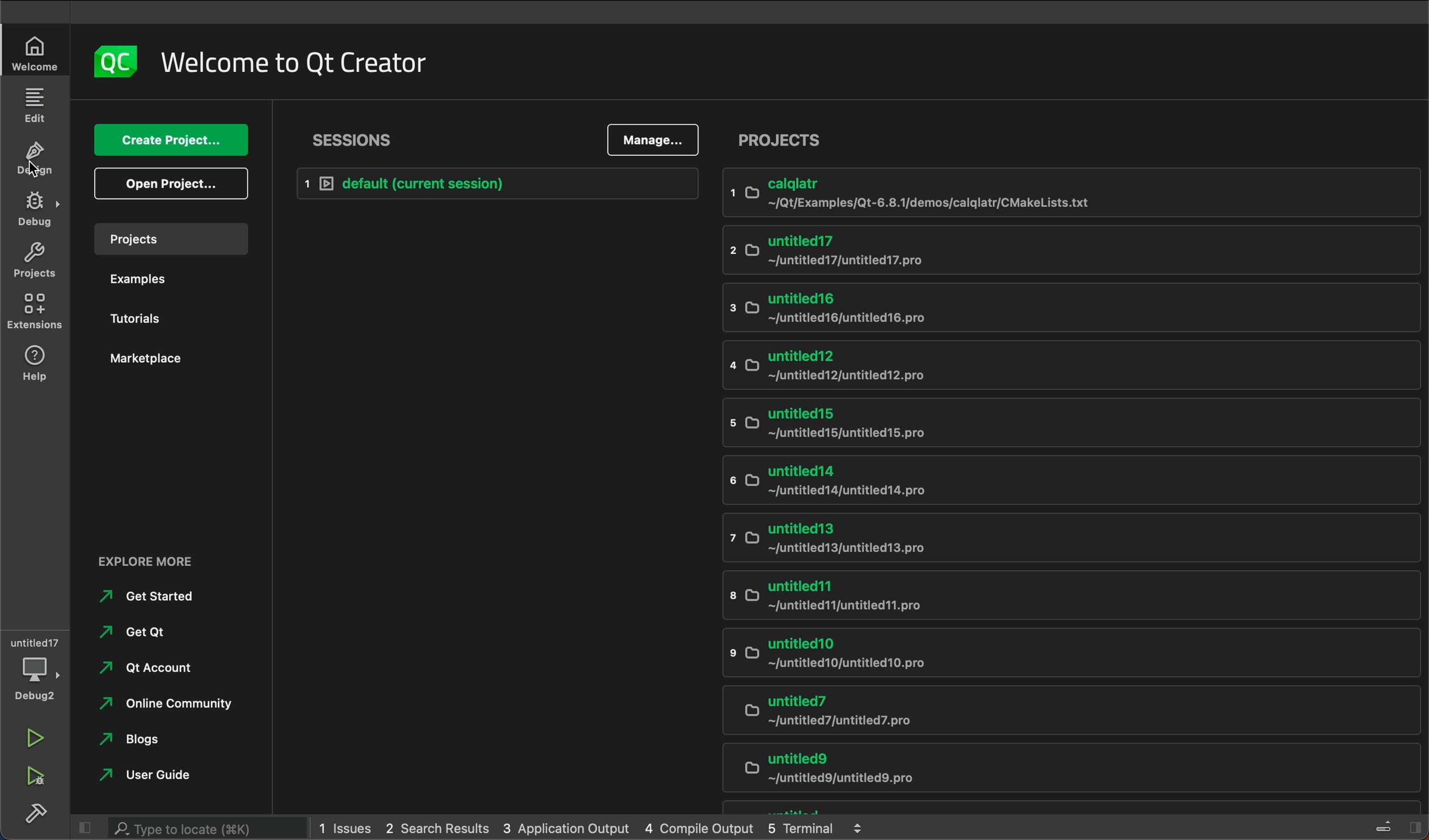 The width and height of the screenshot is (1429, 840). I want to click on untitled9, so click(1029, 769).